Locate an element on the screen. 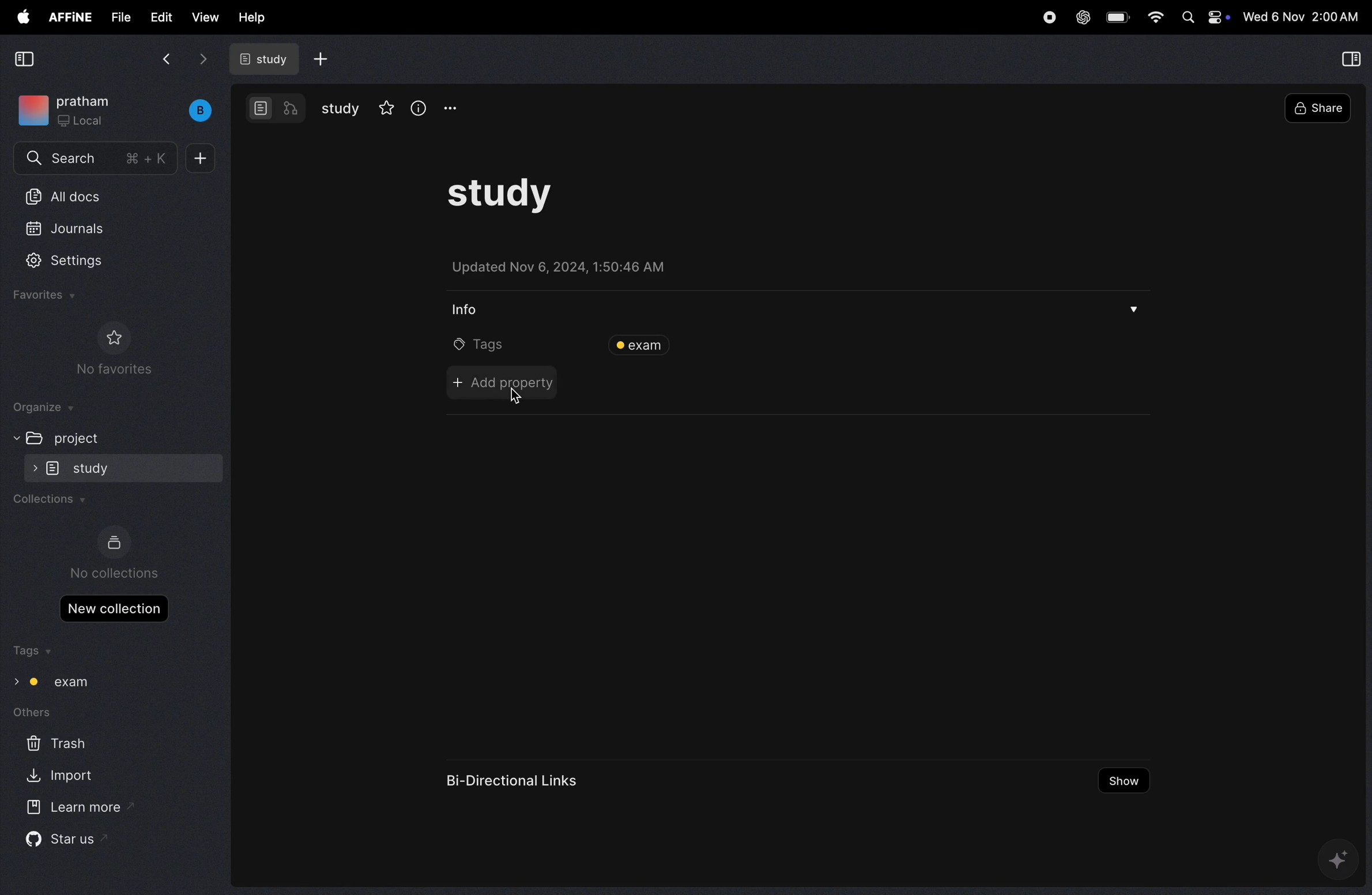 The image size is (1372, 895). exam tags is located at coordinates (636, 345).